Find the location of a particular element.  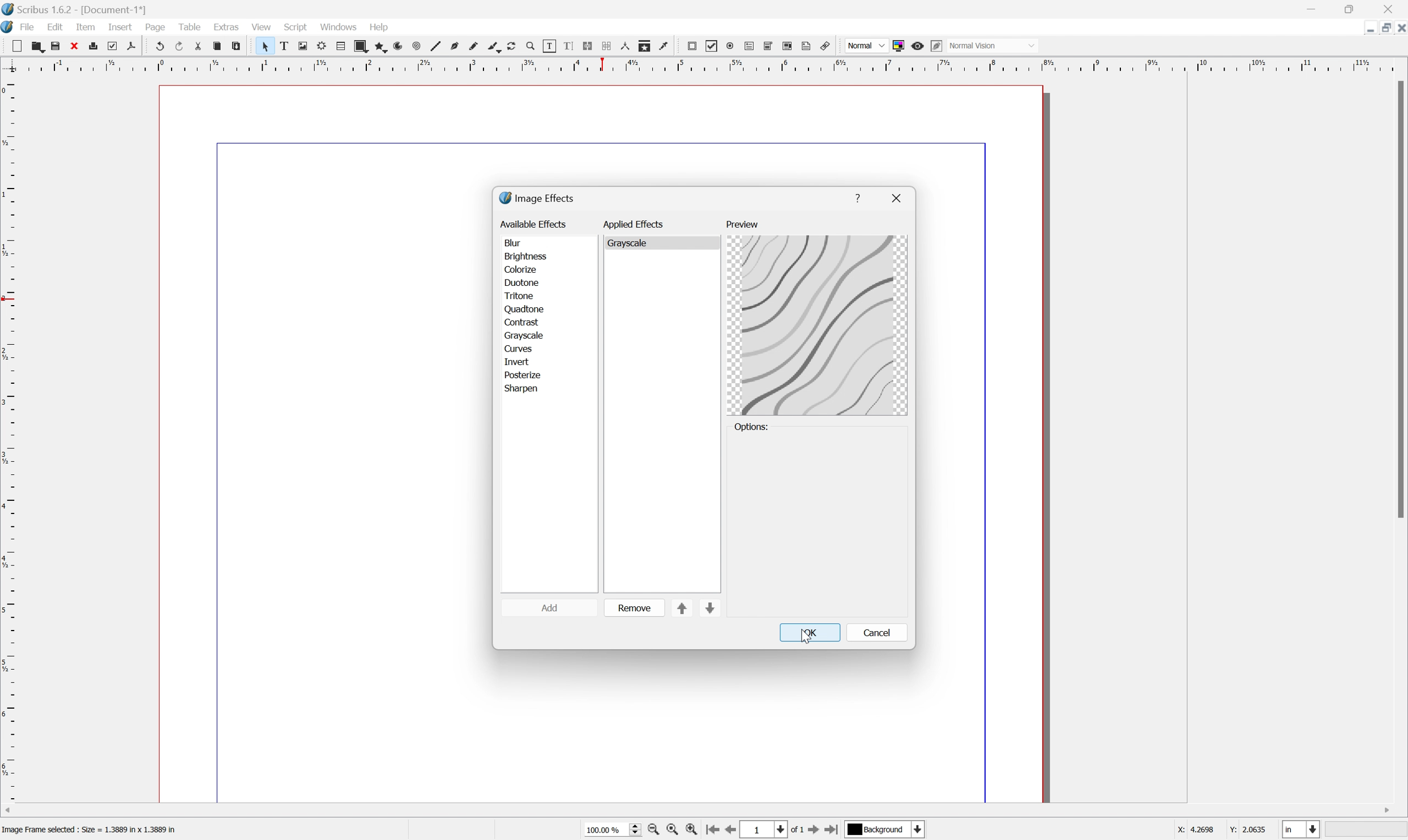

Text frame is located at coordinates (289, 45).